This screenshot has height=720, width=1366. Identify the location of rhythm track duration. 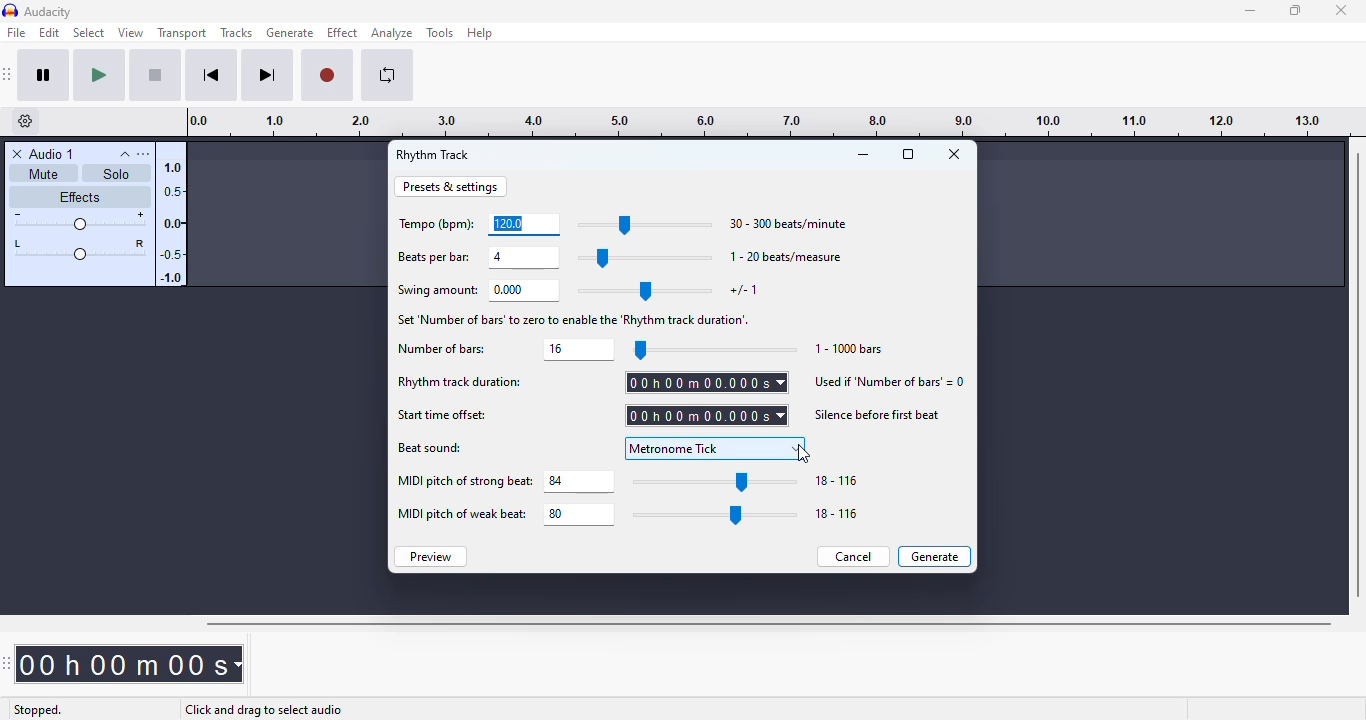
(459, 381).